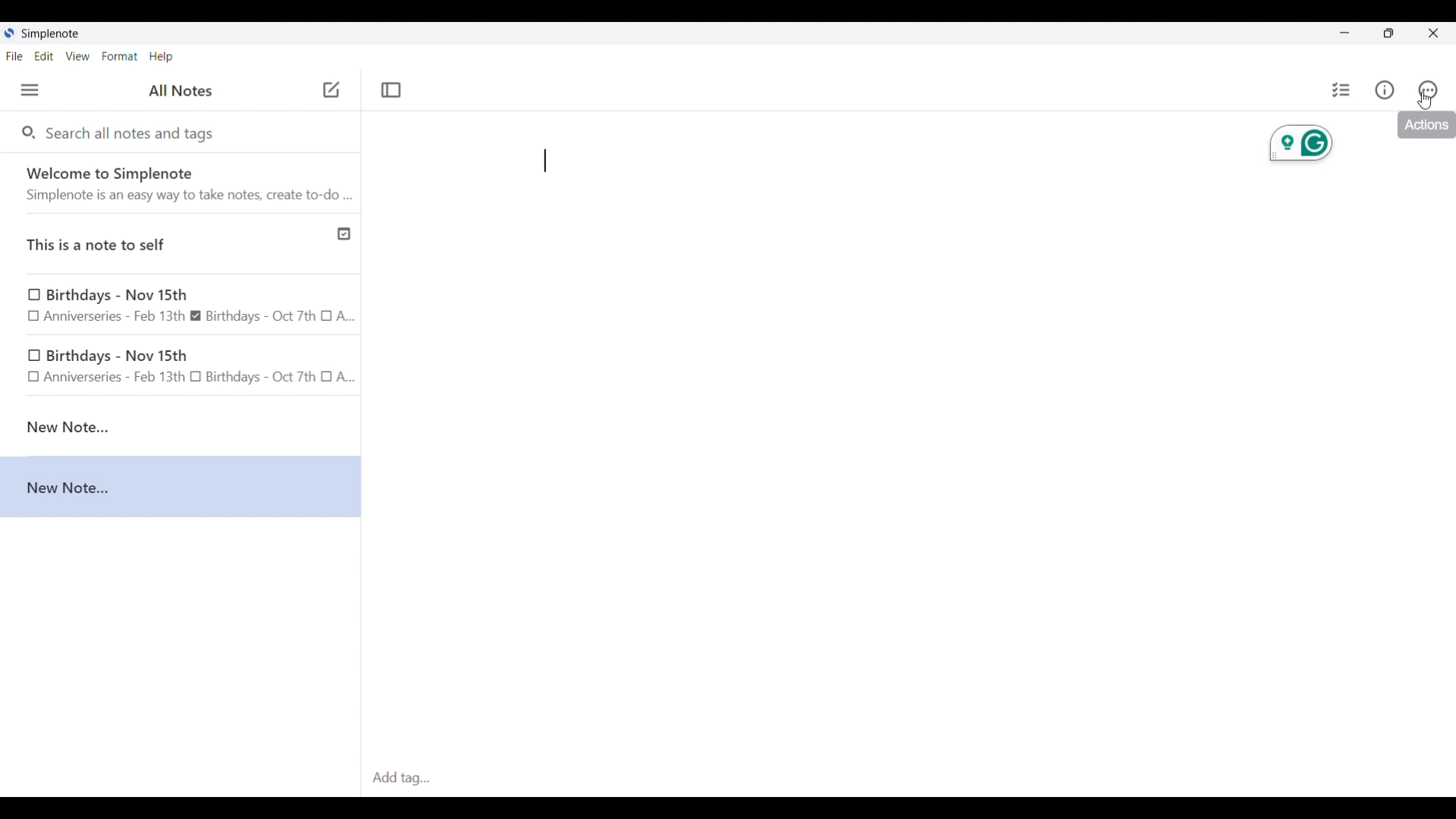 The image size is (1456, 819). I want to click on Help menu, so click(161, 56).